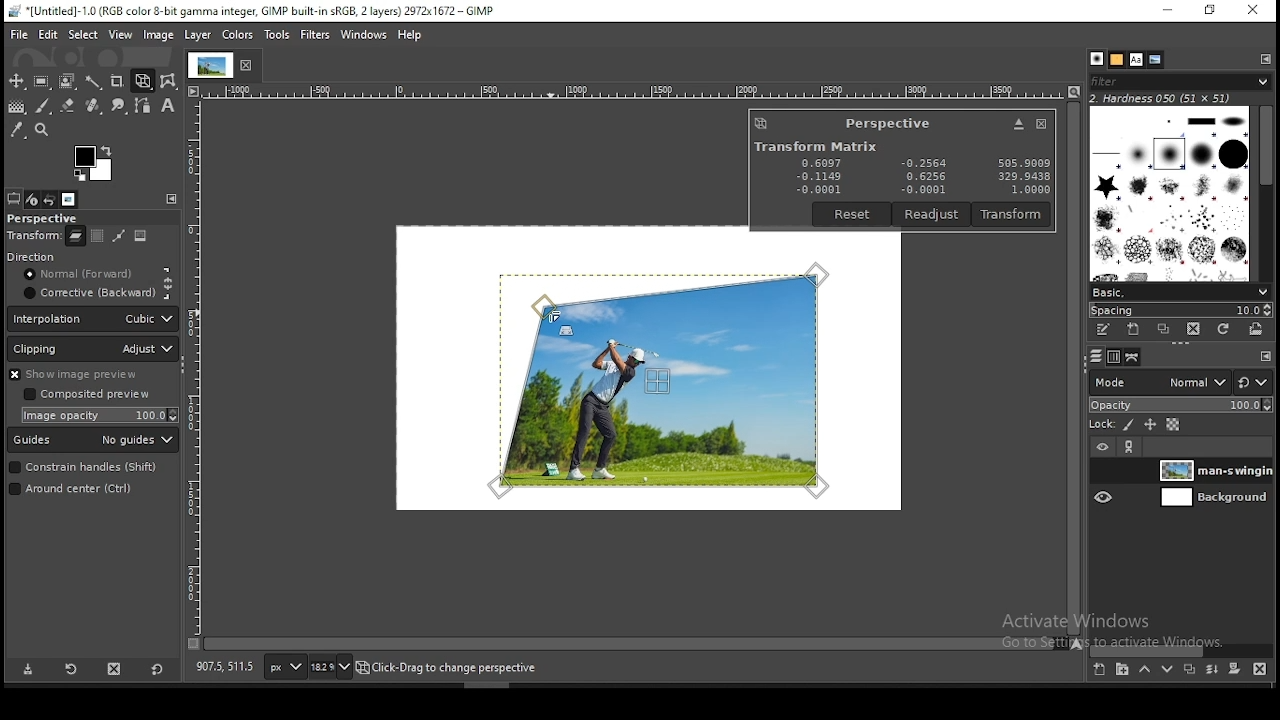 Image resolution: width=1280 pixels, height=720 pixels. What do you see at coordinates (551, 316) in the screenshot?
I see `mouse pointer` at bounding box center [551, 316].